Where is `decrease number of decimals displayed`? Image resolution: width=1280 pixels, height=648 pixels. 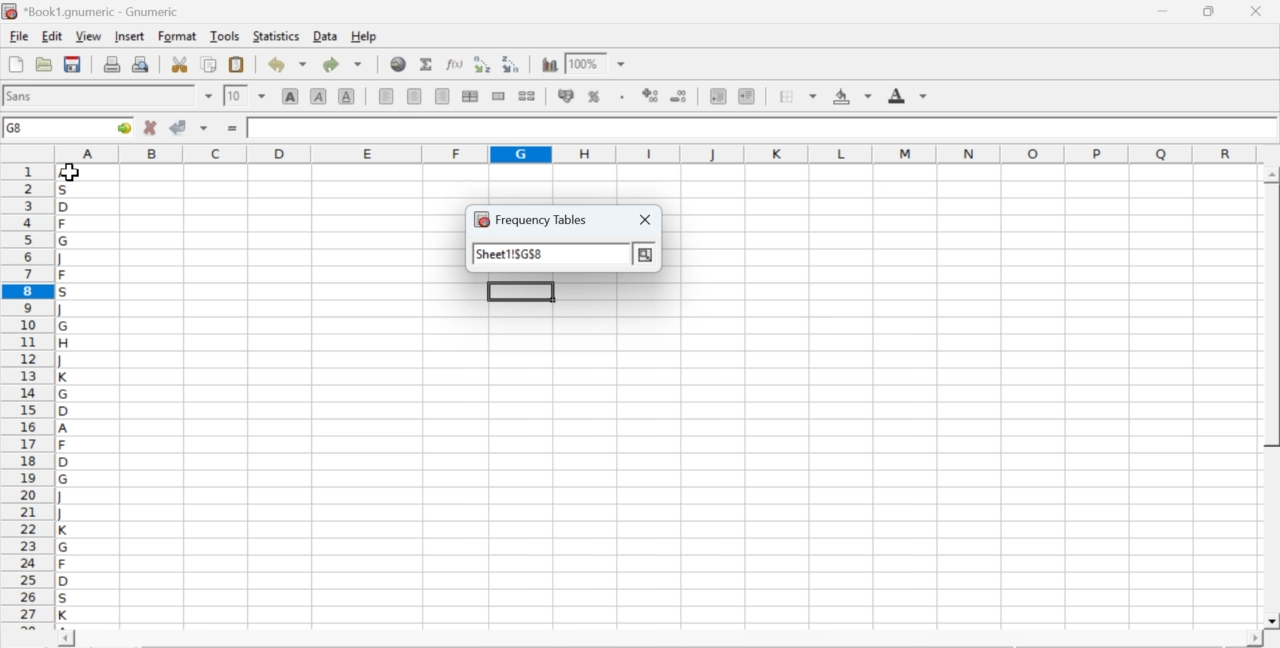
decrease number of decimals displayed is located at coordinates (650, 96).